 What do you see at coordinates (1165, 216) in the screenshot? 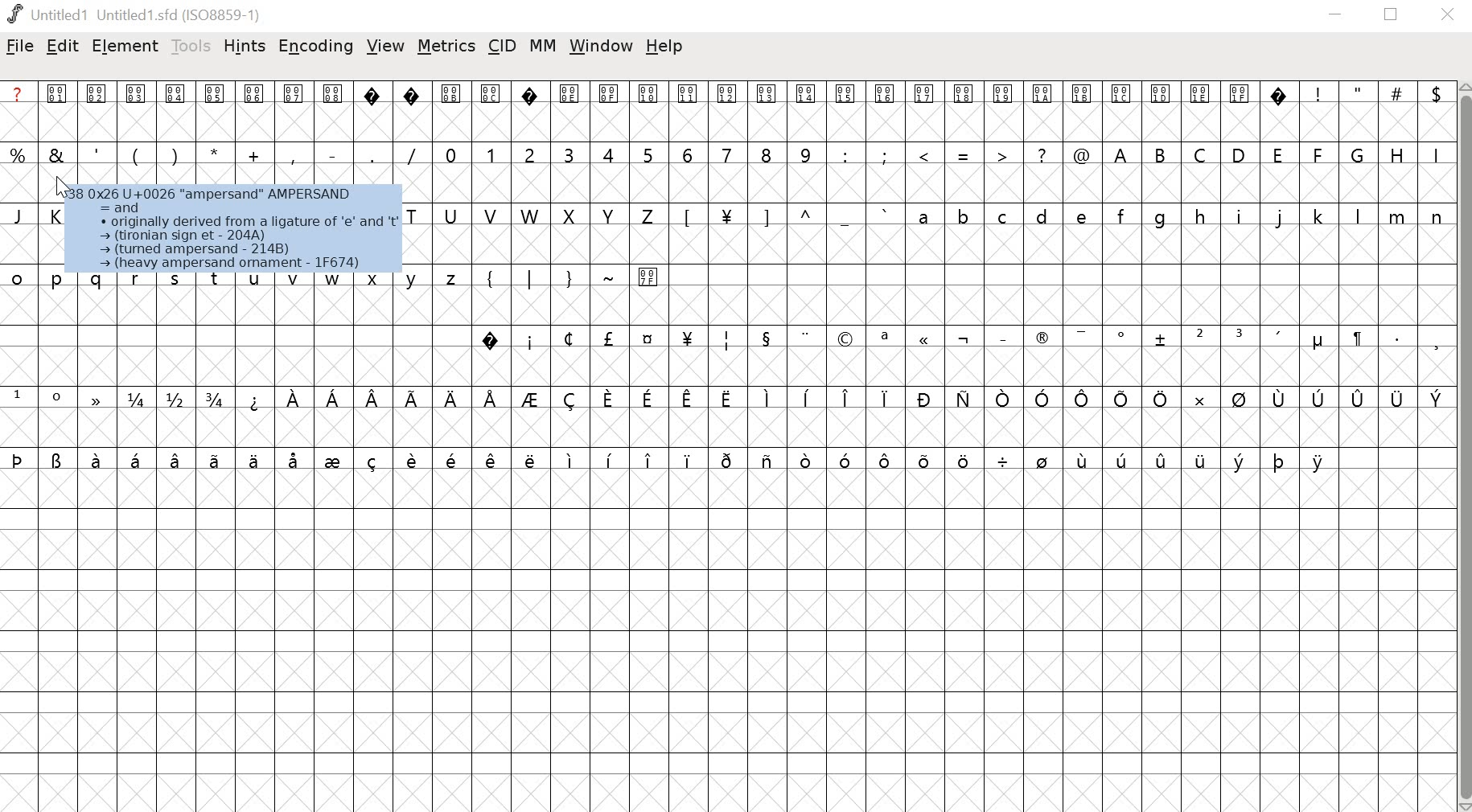
I see `g` at bounding box center [1165, 216].